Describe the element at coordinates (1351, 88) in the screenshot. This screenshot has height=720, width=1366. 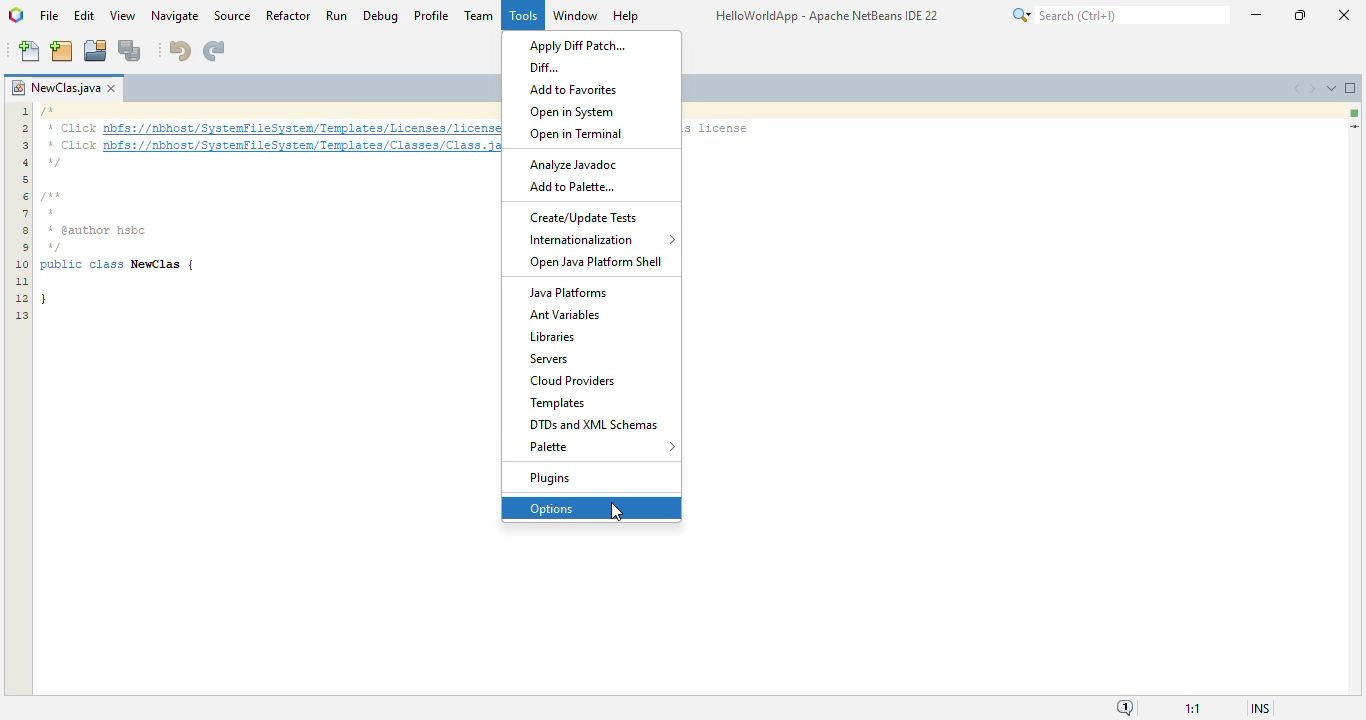
I see `maximize window` at that location.